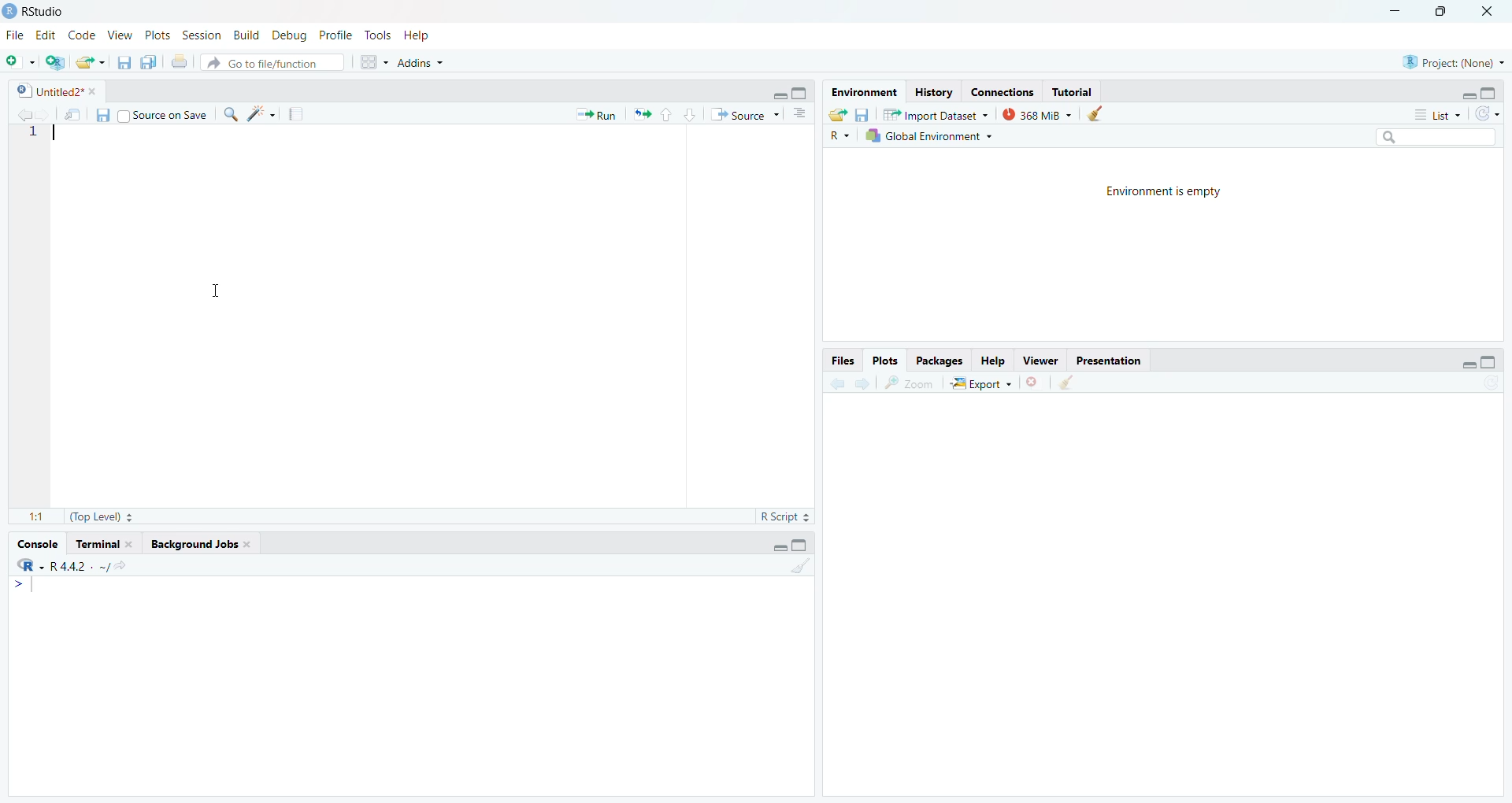 The width and height of the screenshot is (1512, 803). What do you see at coordinates (20, 62) in the screenshot?
I see `add` at bounding box center [20, 62].